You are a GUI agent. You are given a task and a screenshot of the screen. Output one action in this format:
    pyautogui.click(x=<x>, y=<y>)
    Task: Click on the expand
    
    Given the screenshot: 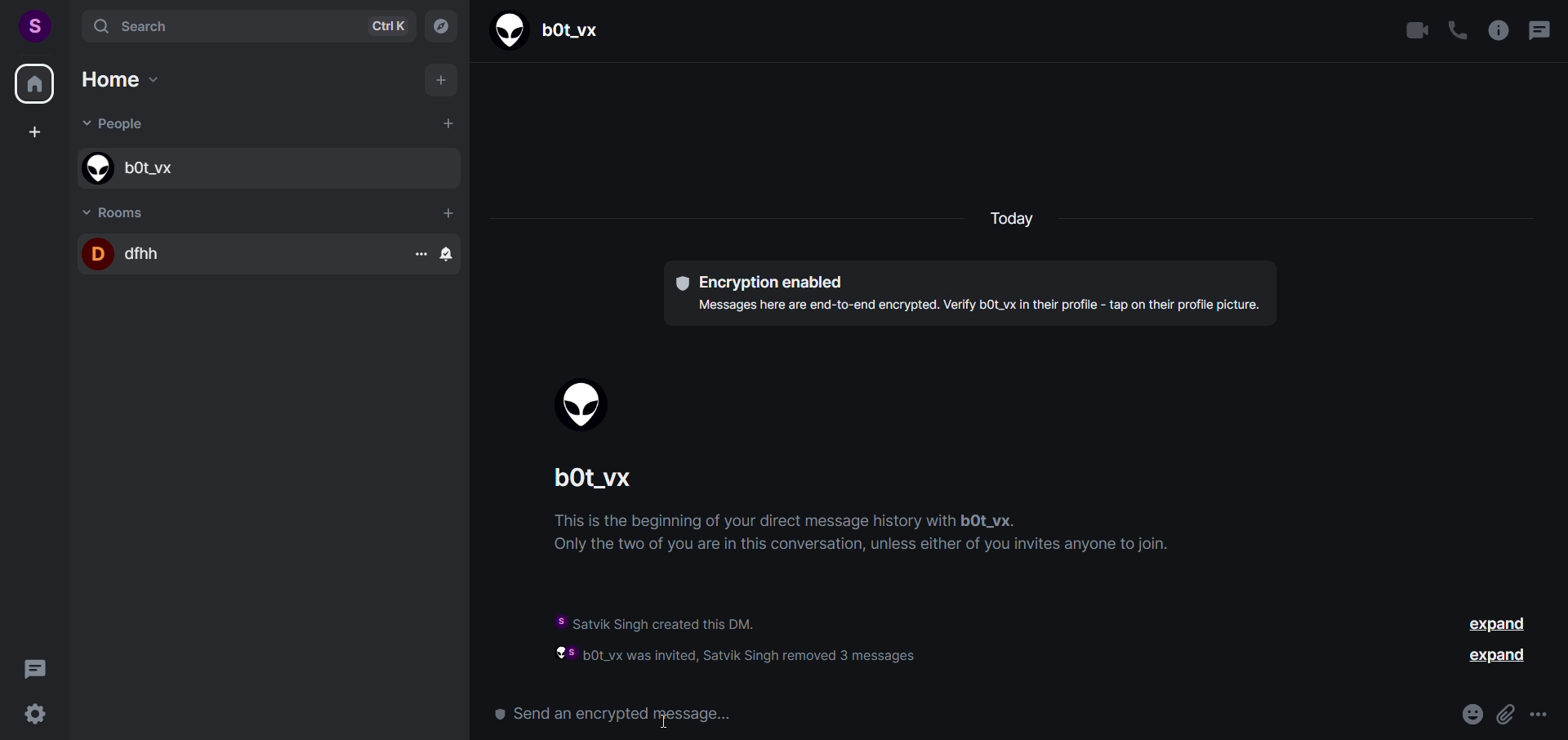 What is the action you would take?
    pyautogui.click(x=1497, y=656)
    